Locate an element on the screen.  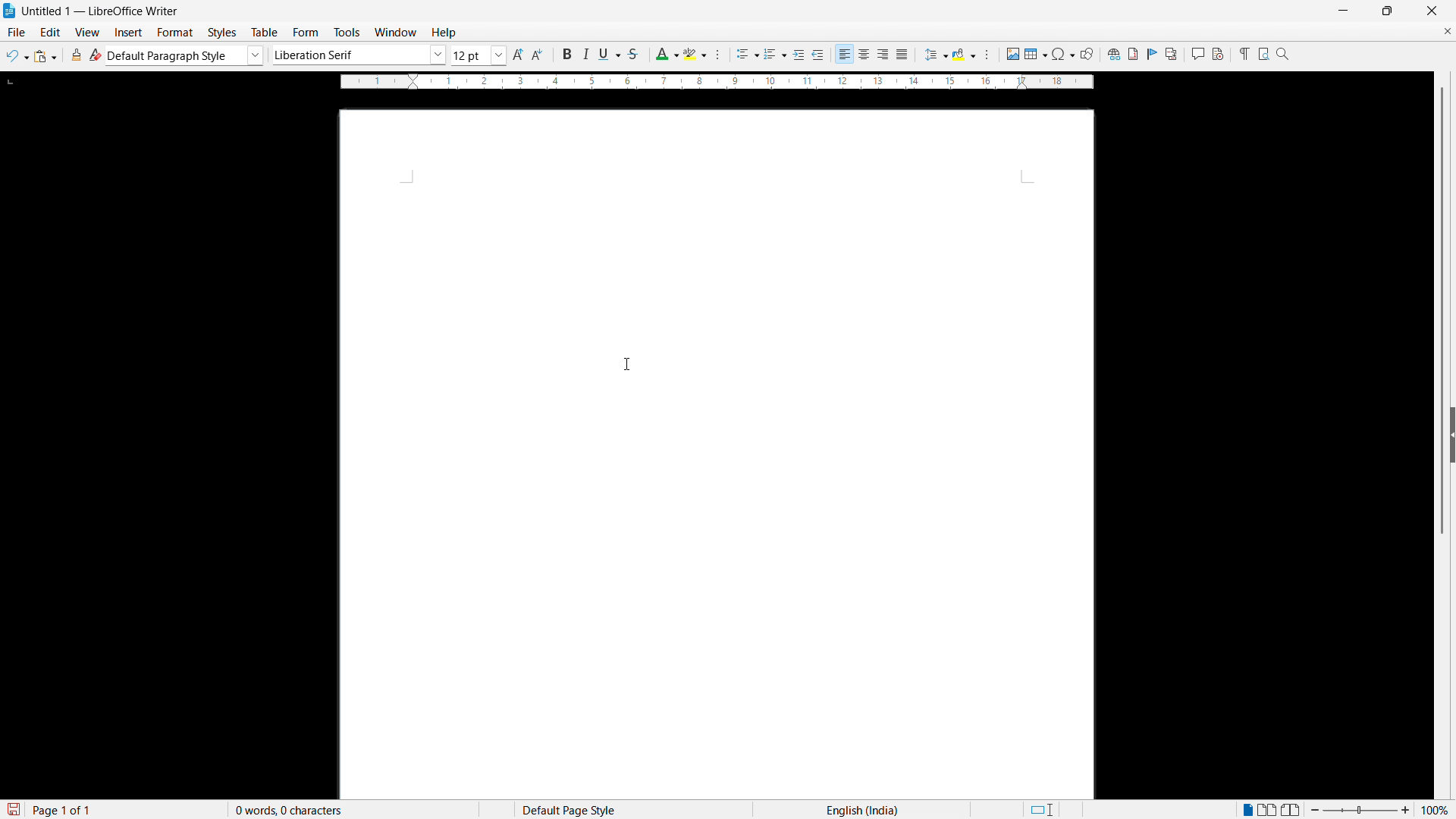
Reduce font size  is located at coordinates (539, 55).